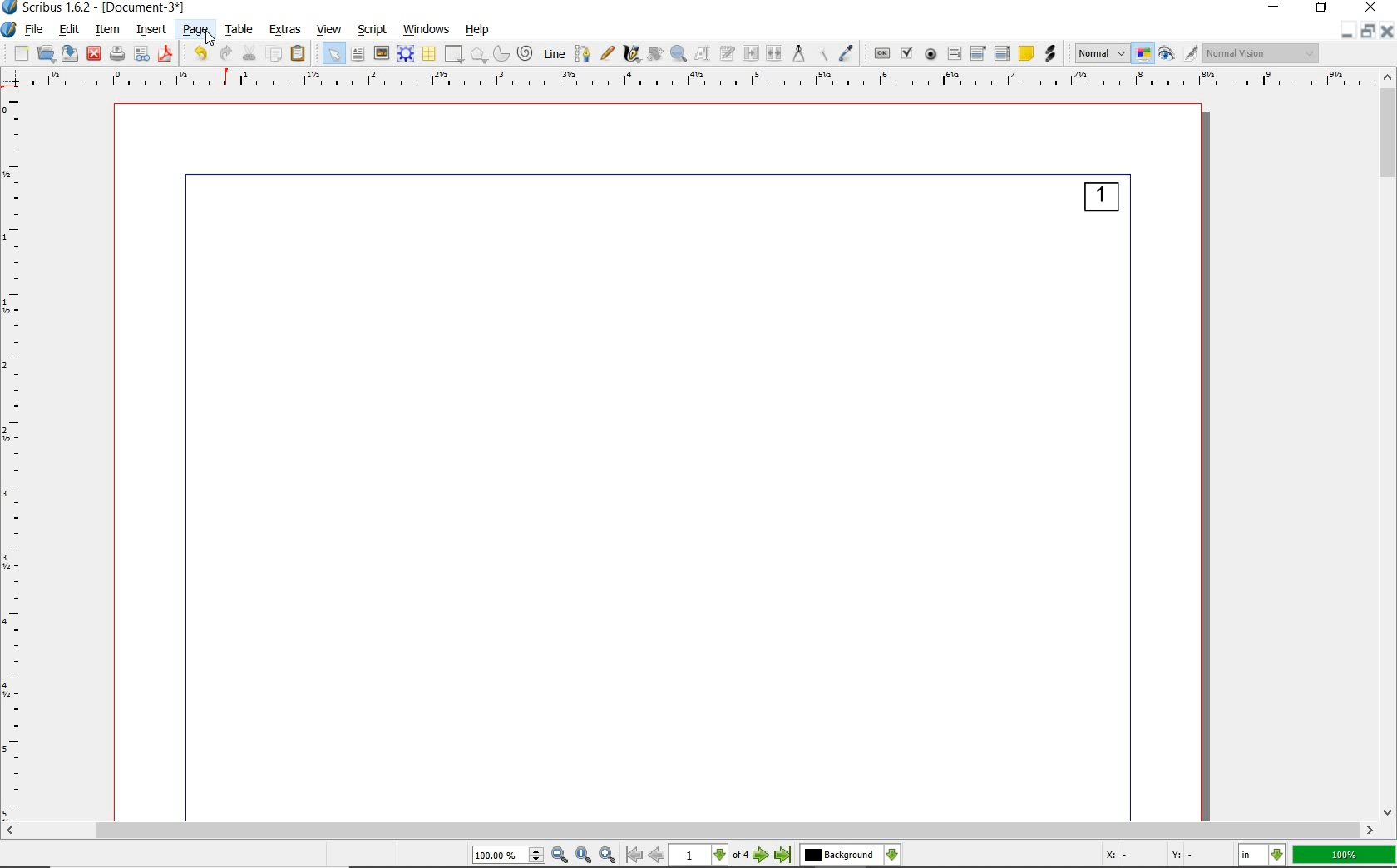  I want to click on rotate item, so click(654, 54).